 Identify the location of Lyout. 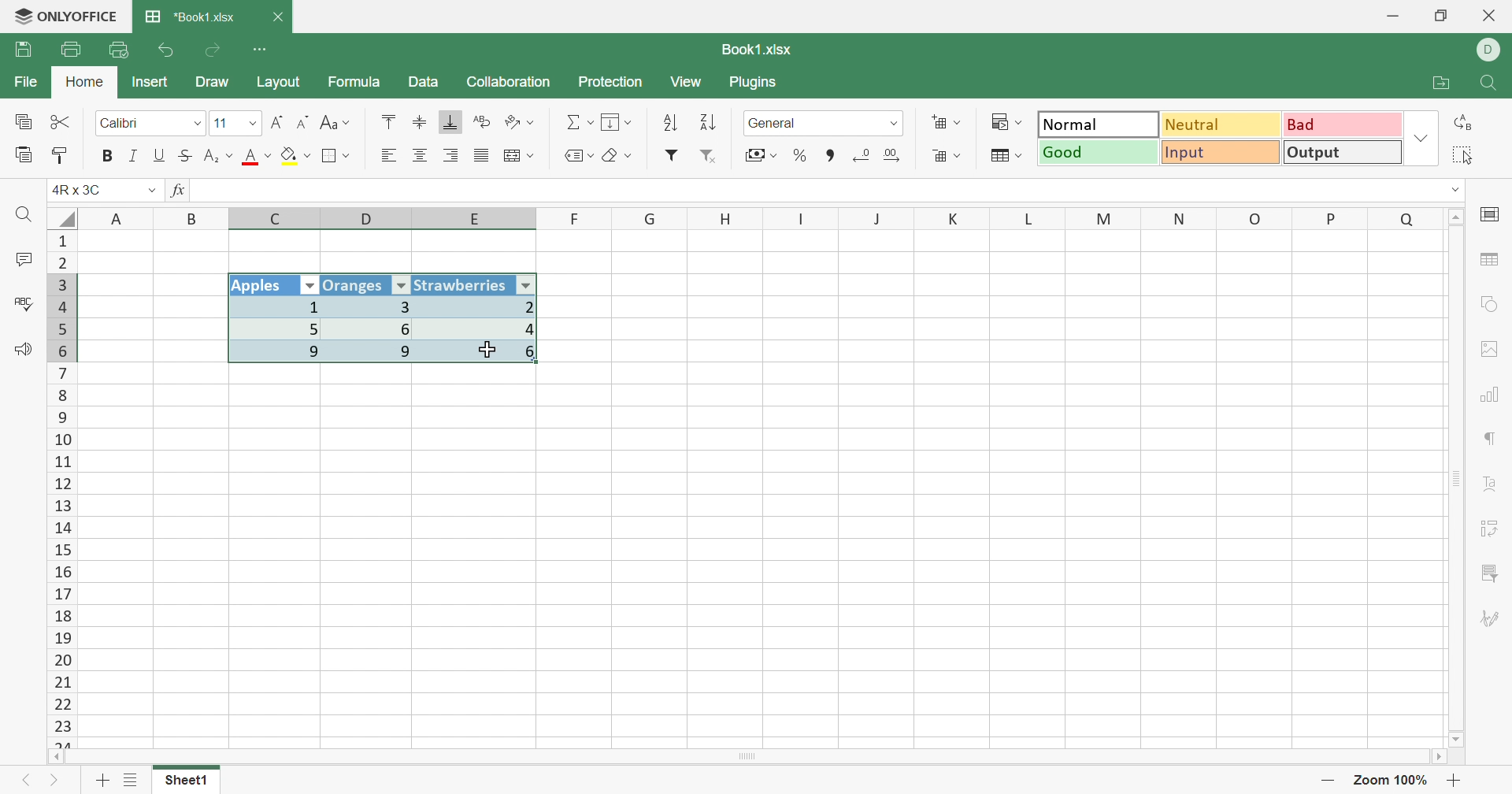
(278, 83).